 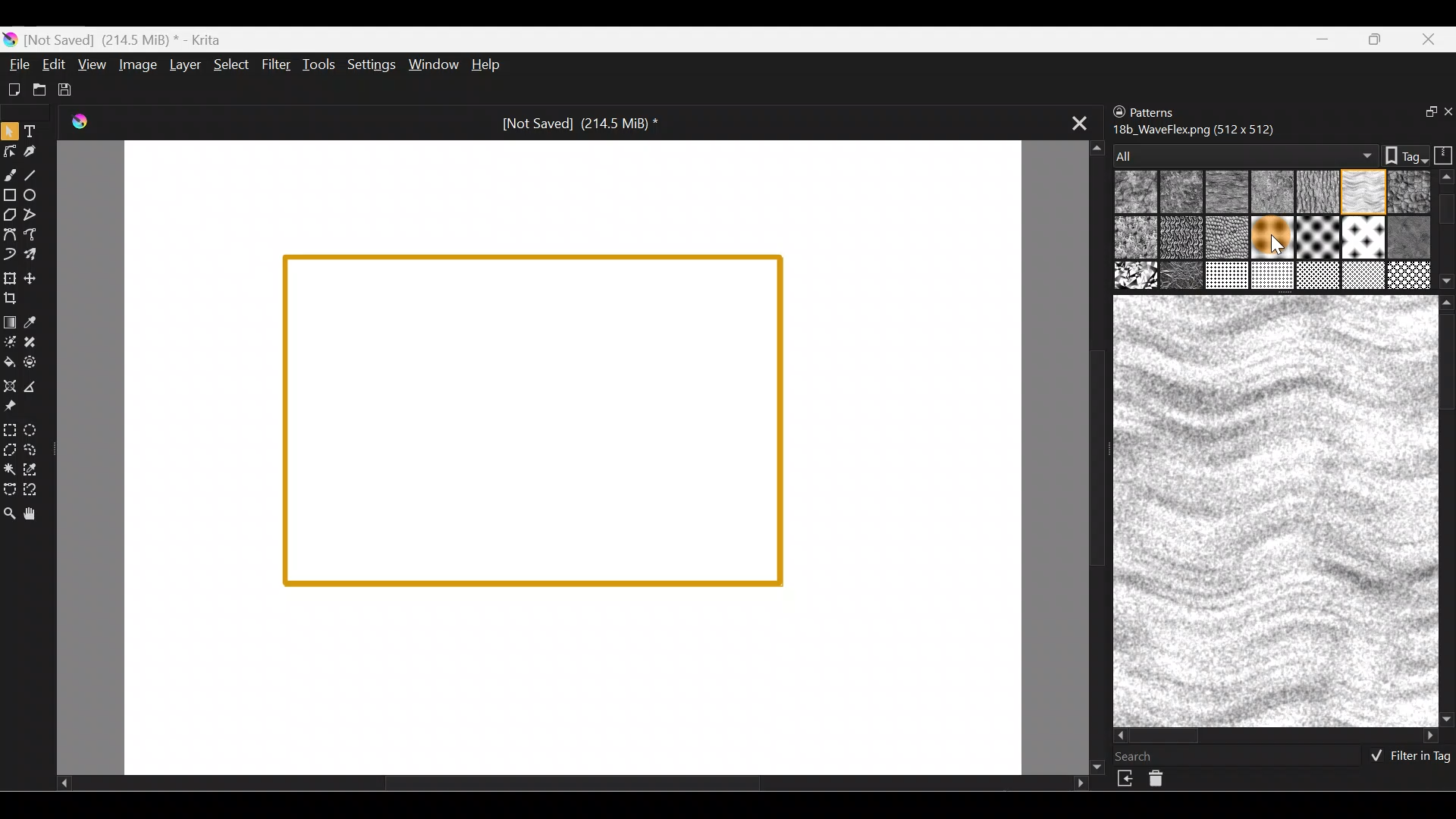 What do you see at coordinates (1318, 237) in the screenshot?
I see `11 drawed_furry.png` at bounding box center [1318, 237].